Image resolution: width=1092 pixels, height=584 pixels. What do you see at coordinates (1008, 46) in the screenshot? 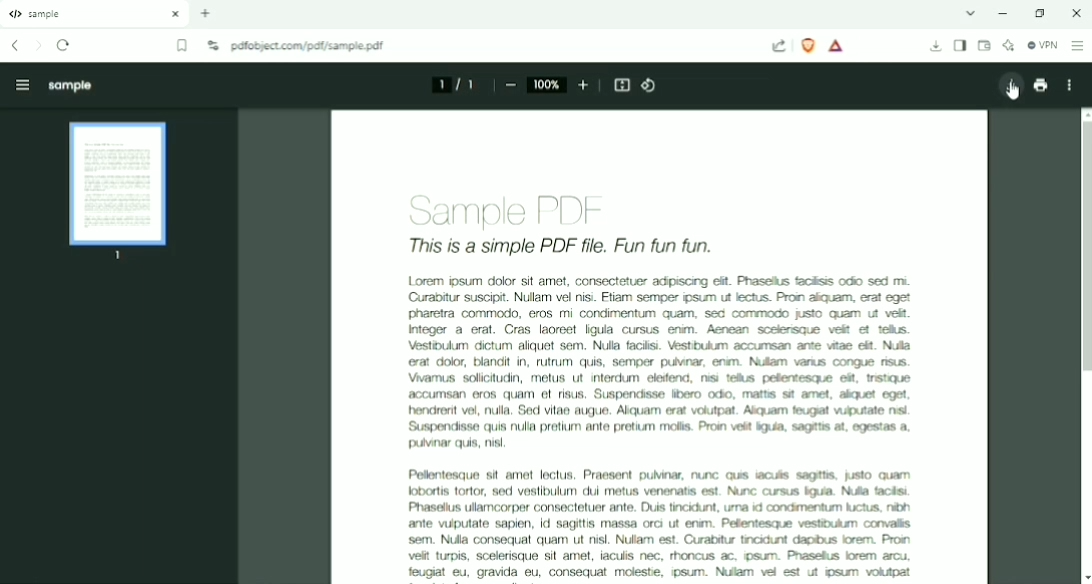
I see `Leo AI` at bounding box center [1008, 46].